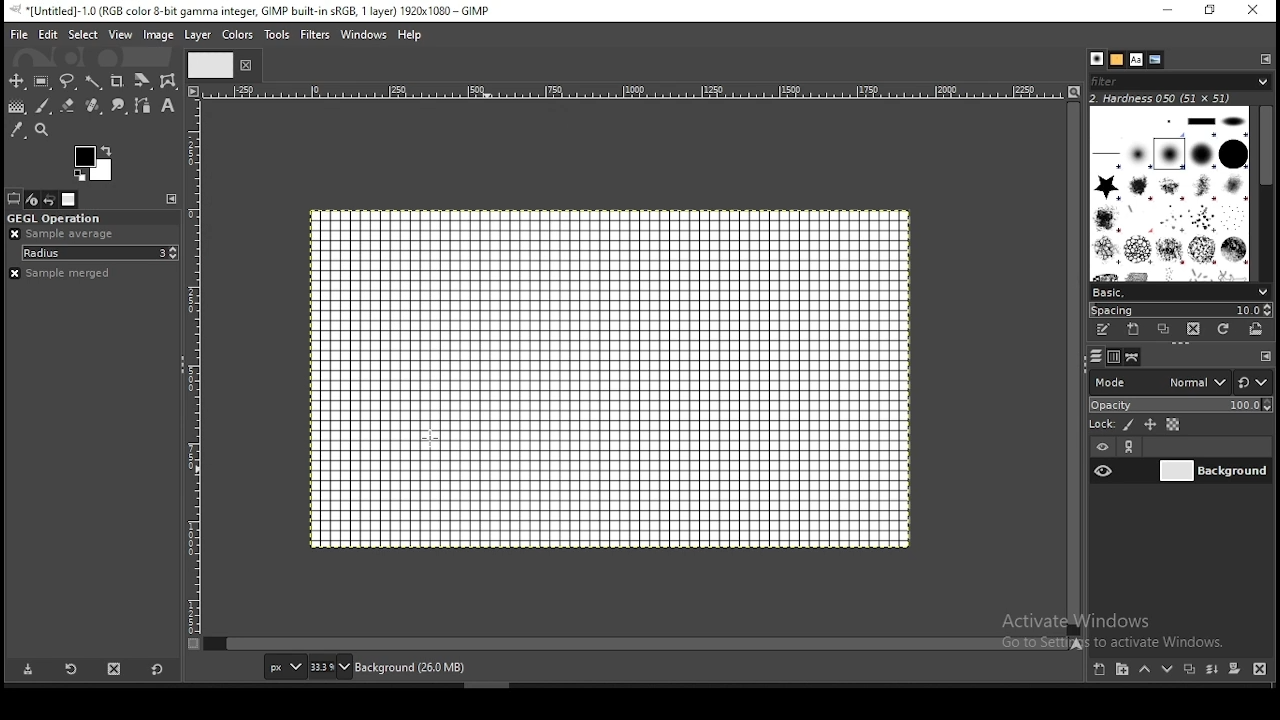 The width and height of the screenshot is (1280, 720). What do you see at coordinates (1266, 193) in the screenshot?
I see `scroll bar` at bounding box center [1266, 193].